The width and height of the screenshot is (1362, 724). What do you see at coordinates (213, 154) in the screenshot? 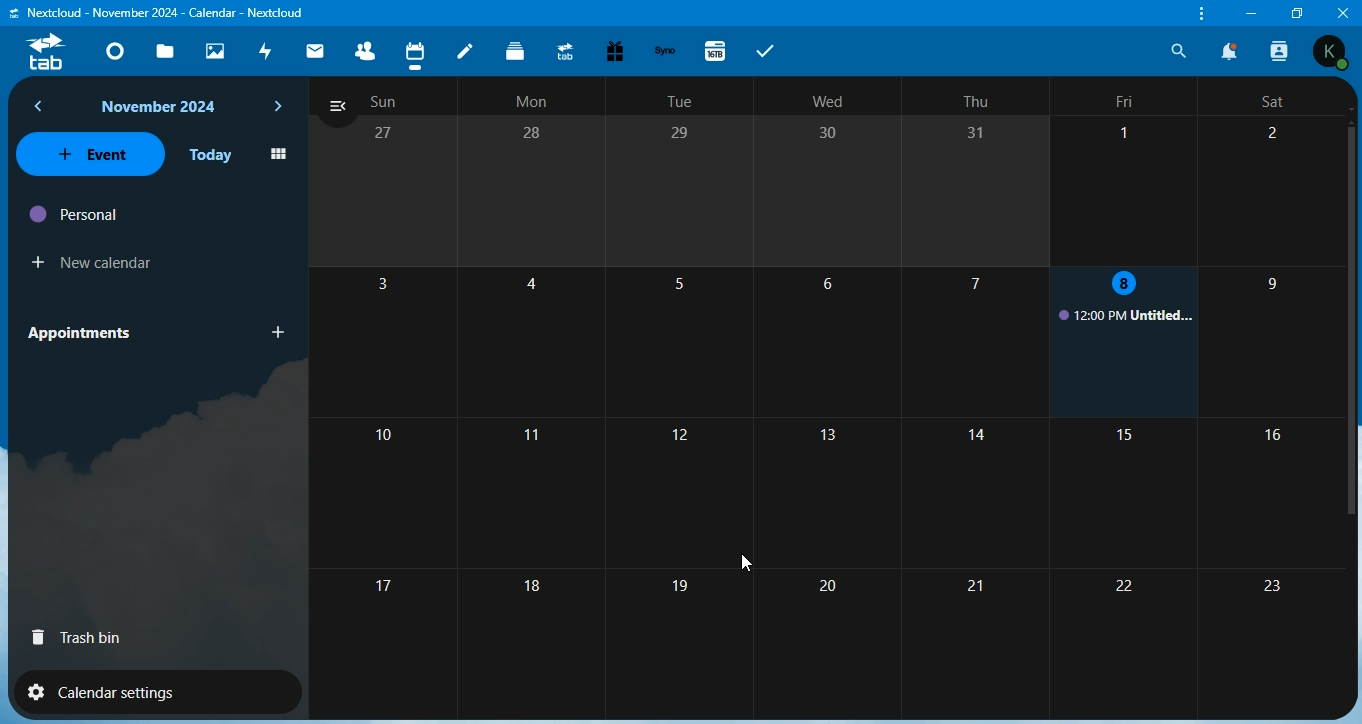
I see `today` at bounding box center [213, 154].